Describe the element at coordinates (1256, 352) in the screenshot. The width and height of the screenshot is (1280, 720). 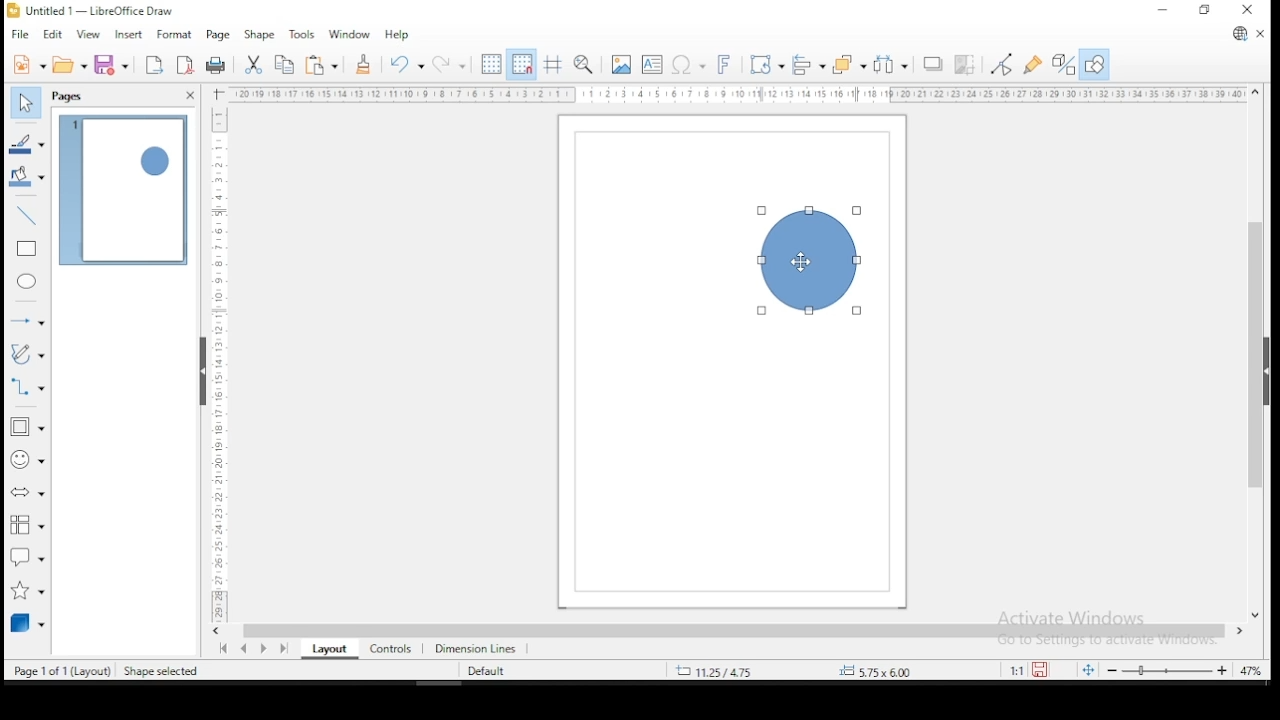
I see `scroll bar` at that location.